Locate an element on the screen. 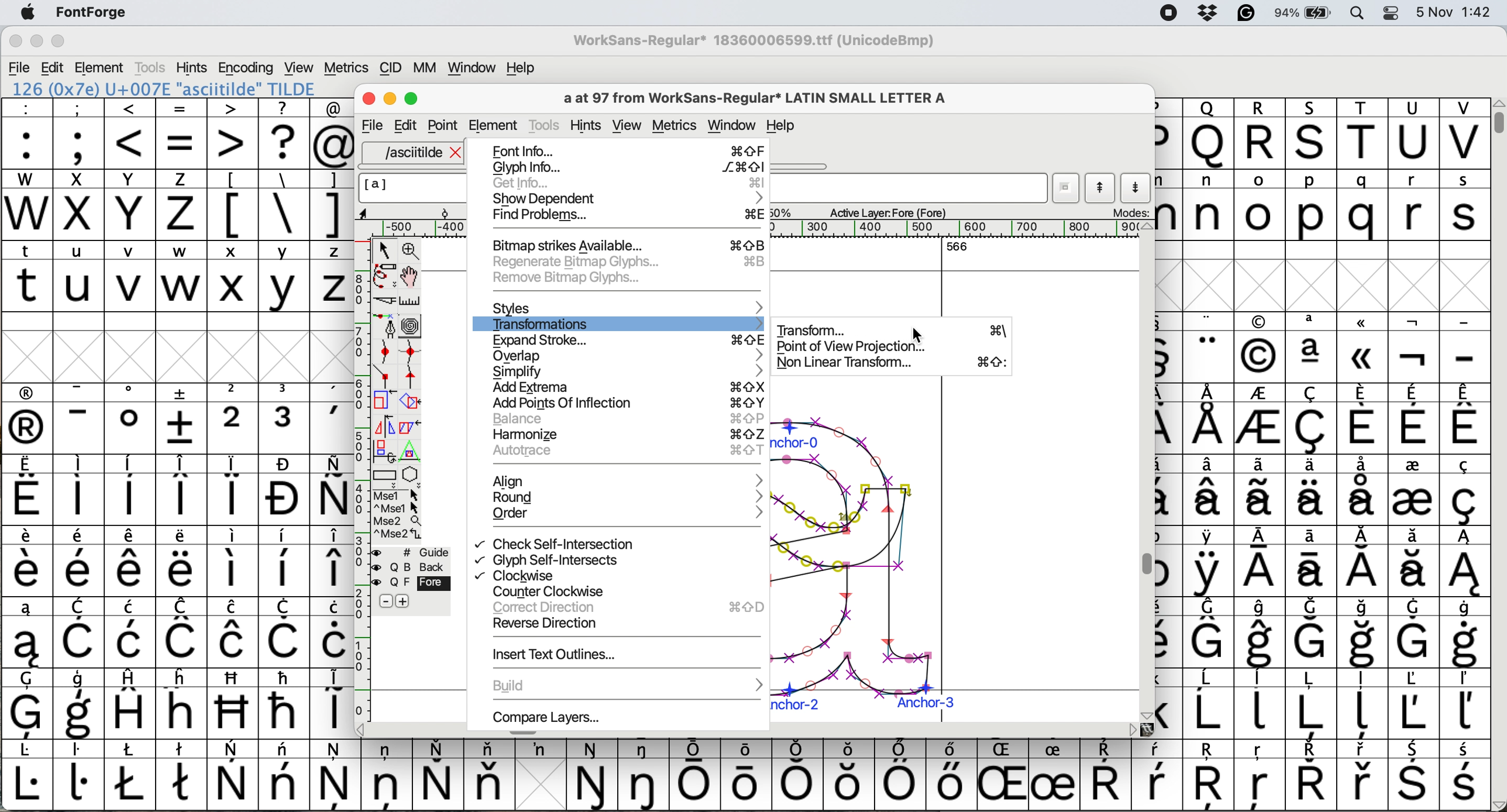 This screenshot has width=1507, height=812. x is located at coordinates (78, 205).